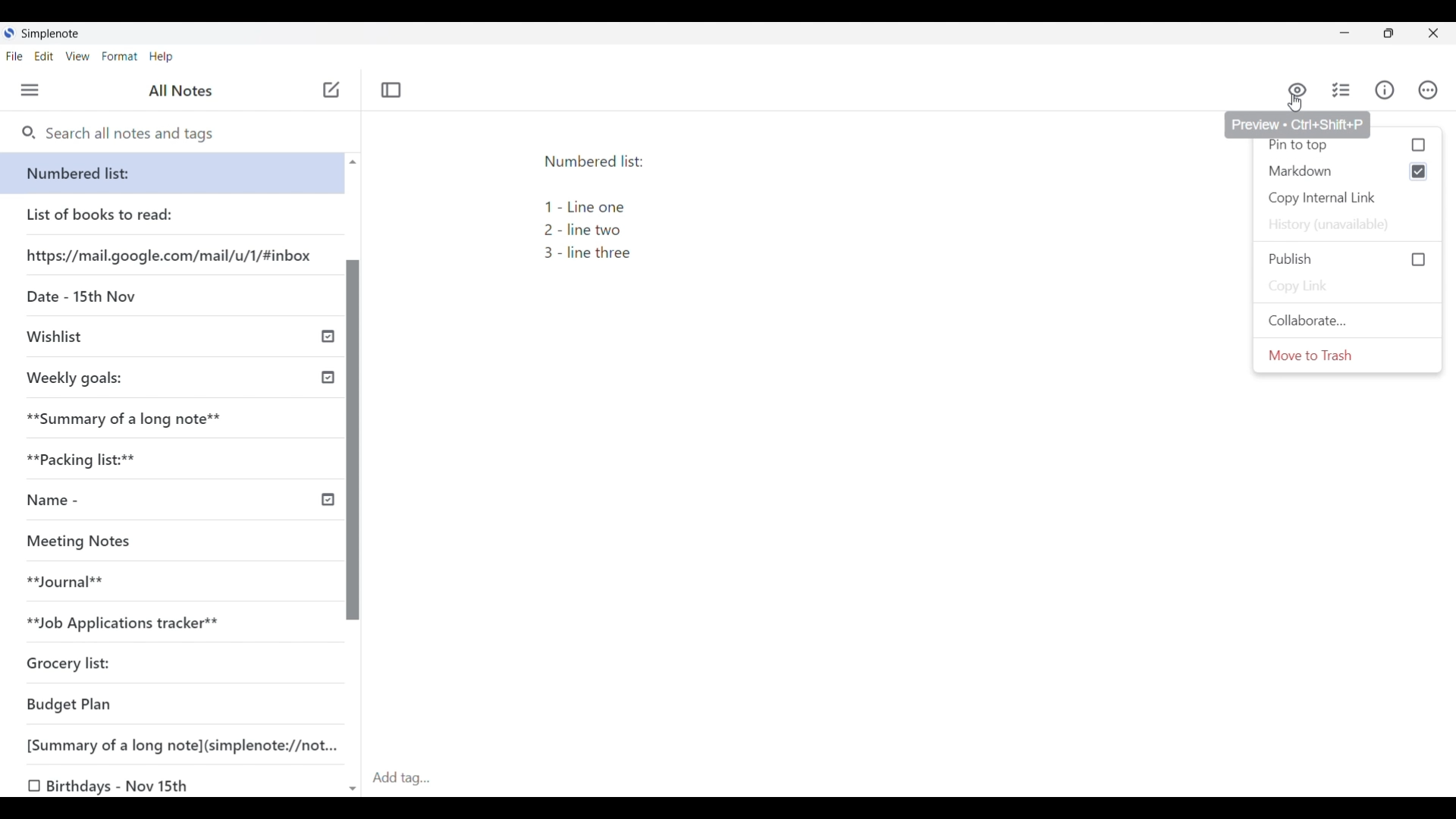 Image resolution: width=1456 pixels, height=819 pixels. I want to click on Actions, so click(1429, 93).